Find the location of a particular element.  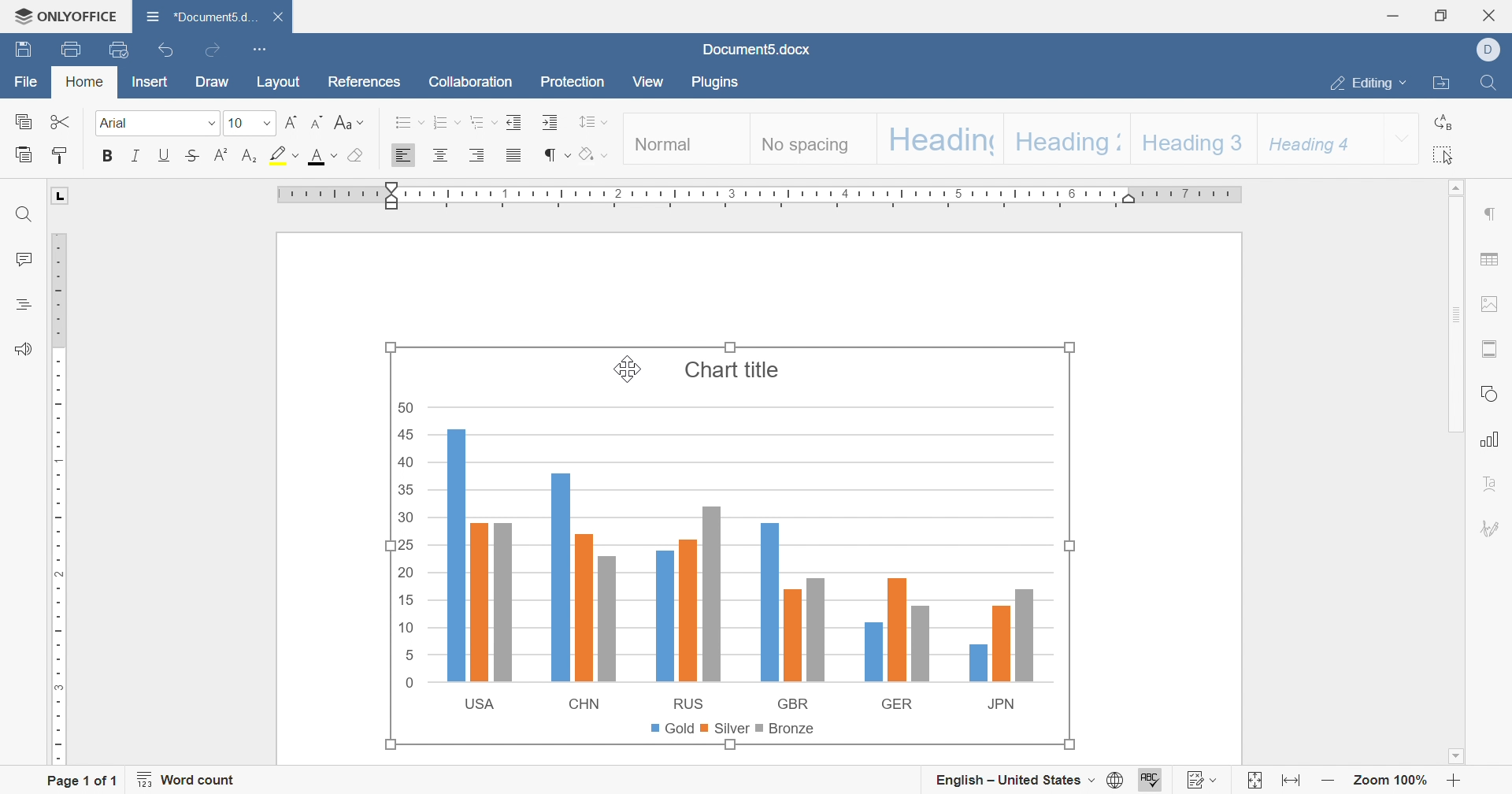

undo is located at coordinates (168, 49).